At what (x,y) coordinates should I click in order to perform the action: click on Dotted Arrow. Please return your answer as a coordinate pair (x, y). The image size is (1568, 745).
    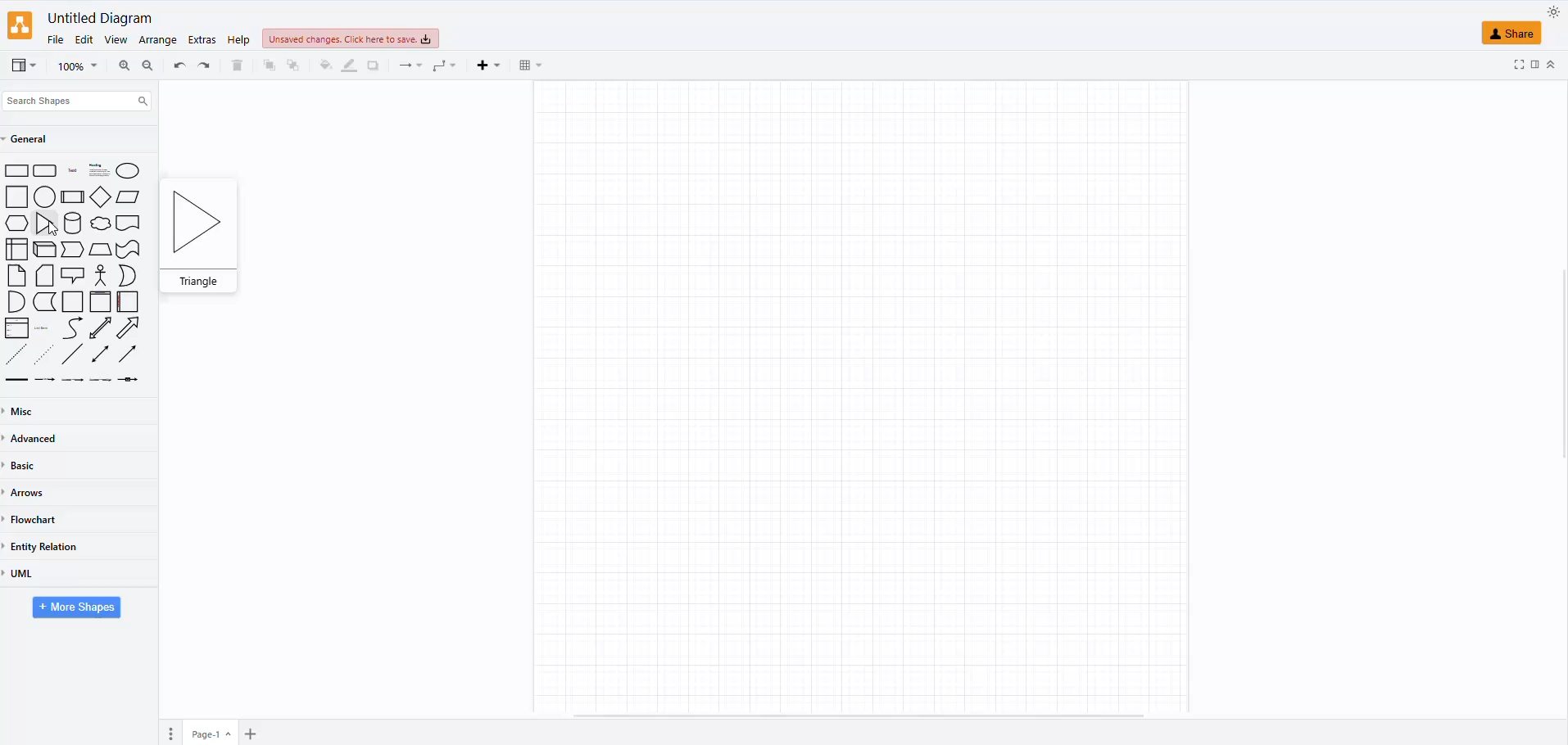
    Looking at the image, I should click on (47, 354).